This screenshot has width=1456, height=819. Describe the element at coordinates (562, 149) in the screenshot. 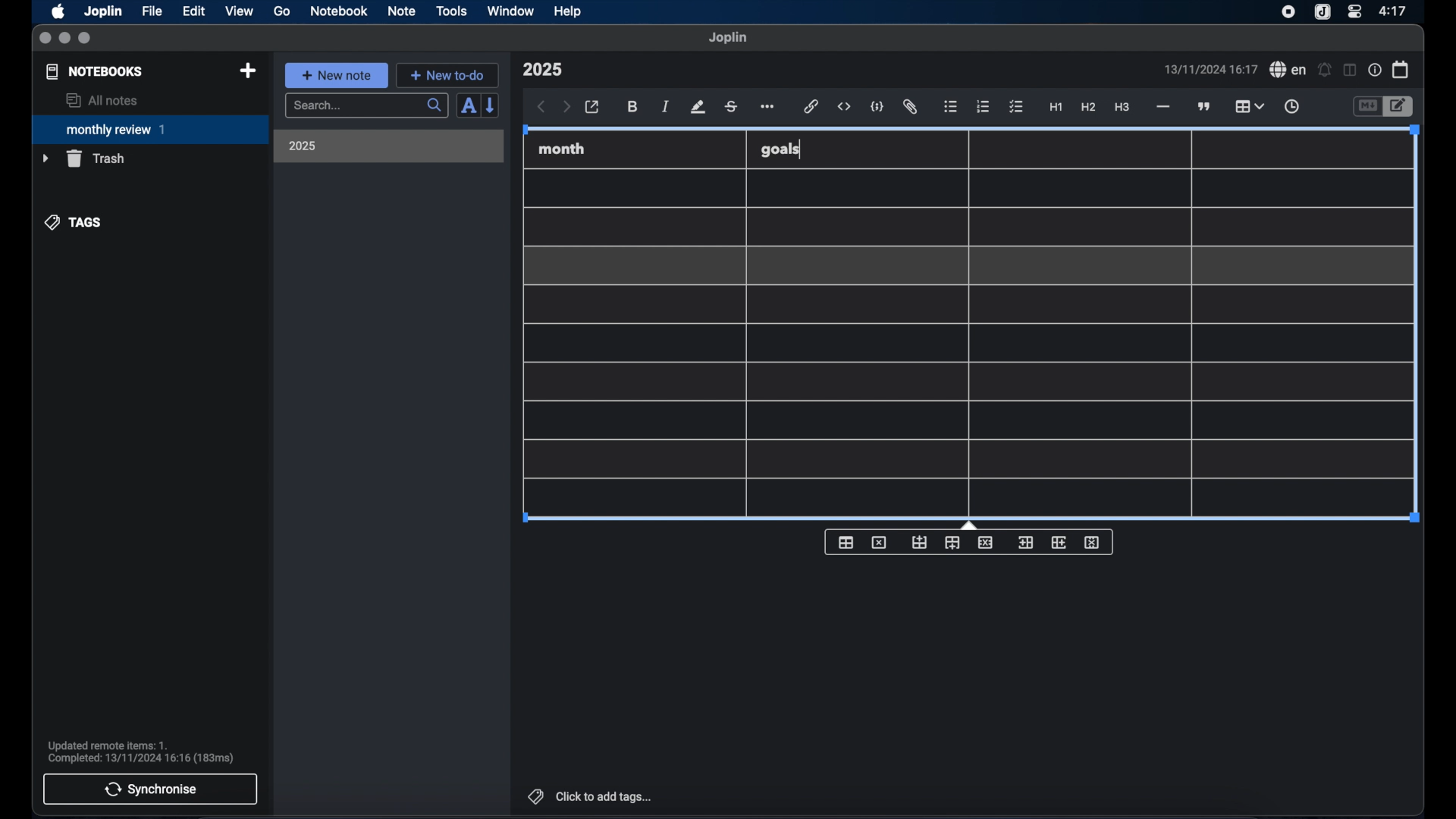

I see `month` at that location.